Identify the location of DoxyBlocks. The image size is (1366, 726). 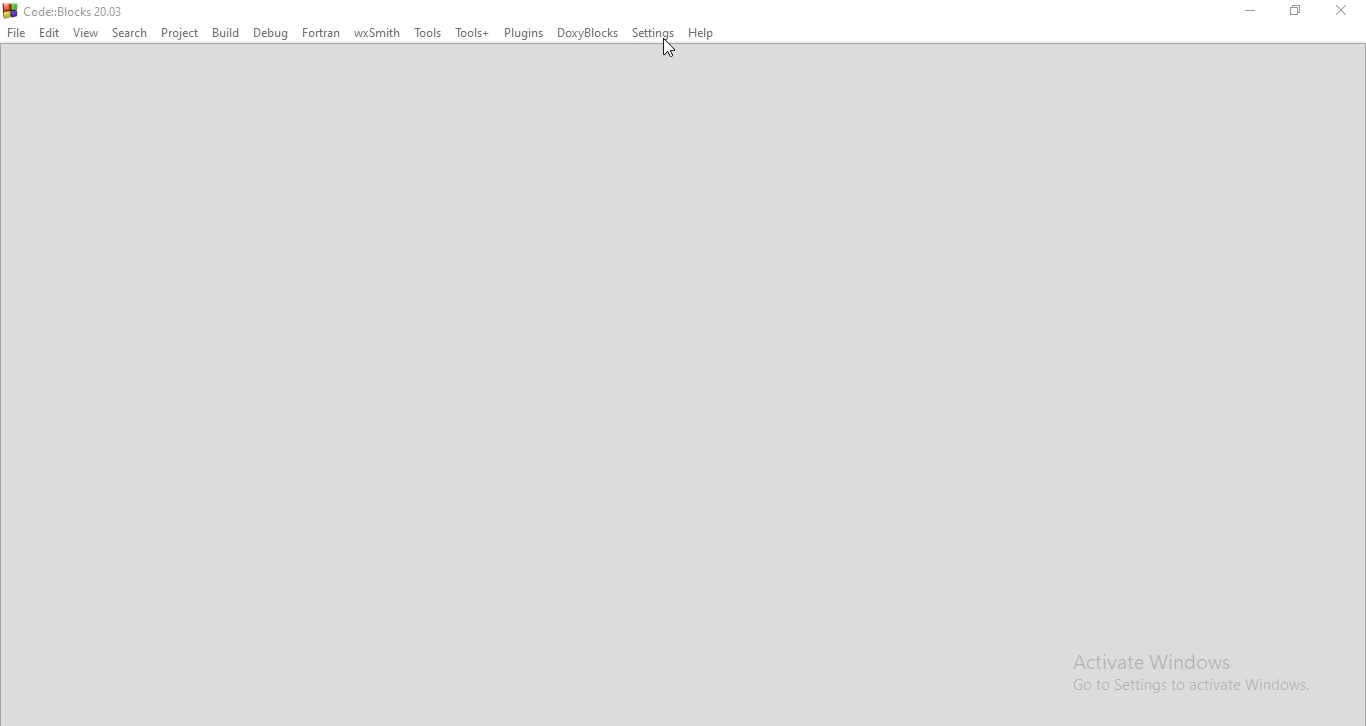
(590, 35).